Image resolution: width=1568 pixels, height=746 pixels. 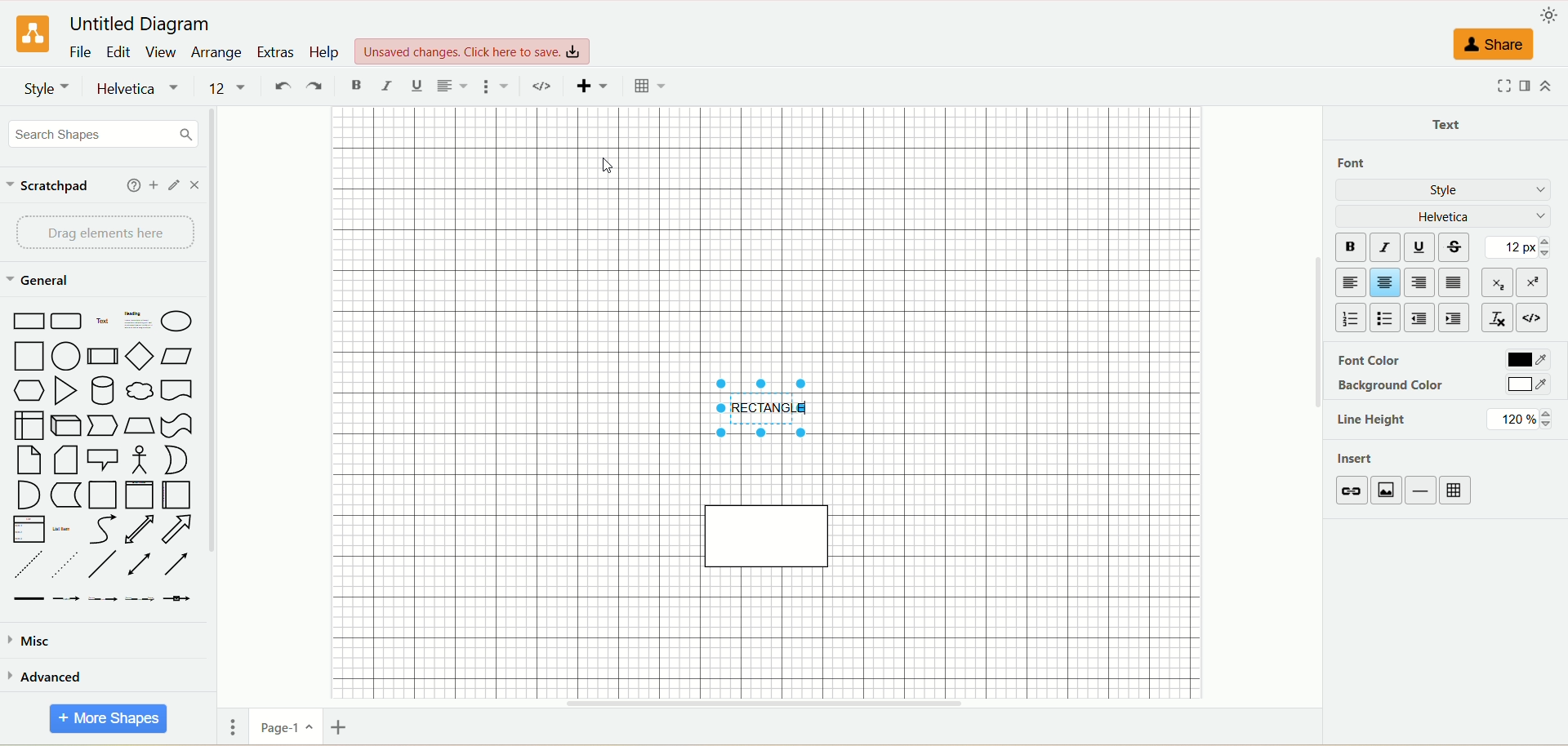 I want to click on document, so click(x=180, y=389).